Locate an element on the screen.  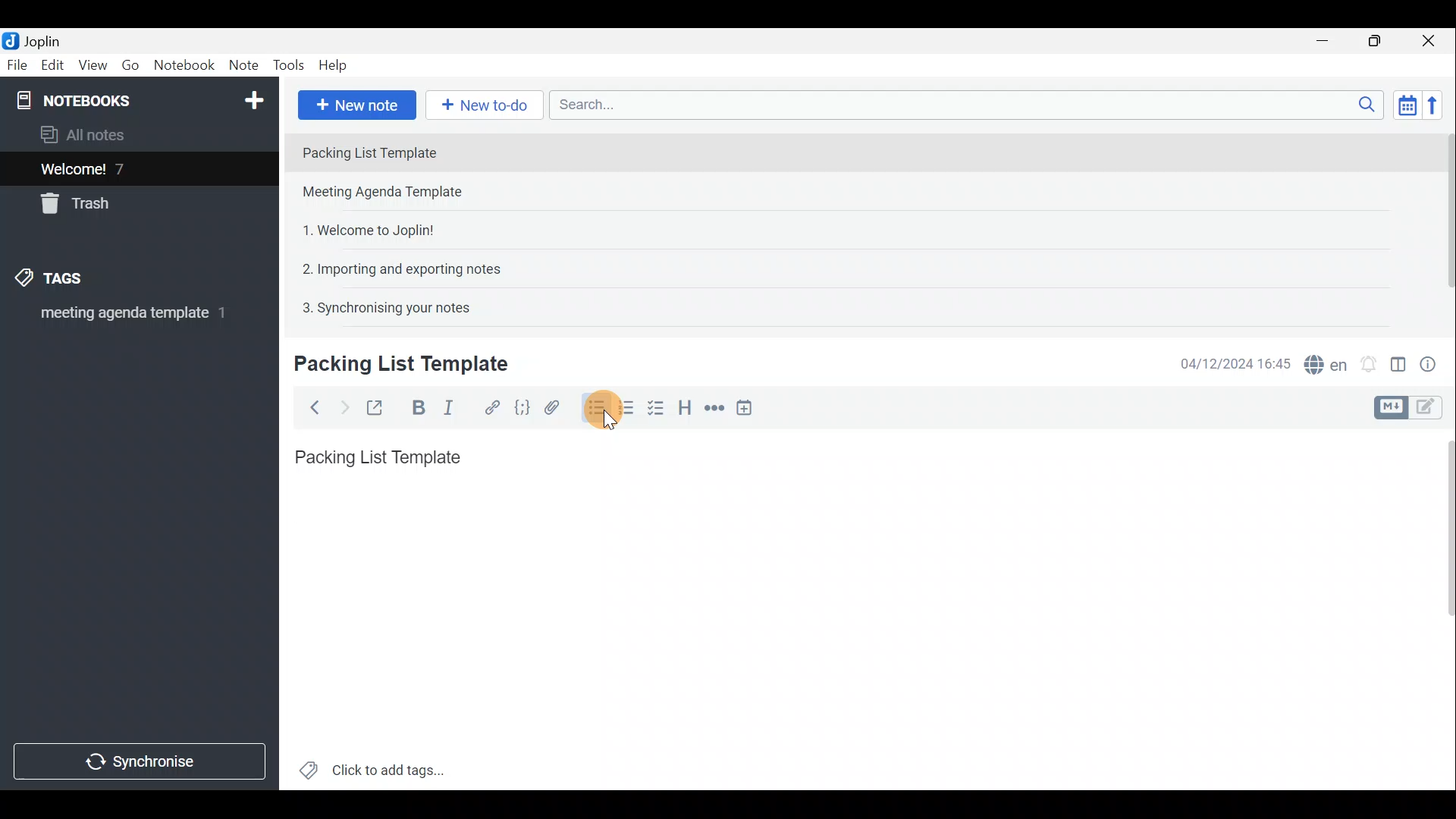
Insert time is located at coordinates (749, 407).